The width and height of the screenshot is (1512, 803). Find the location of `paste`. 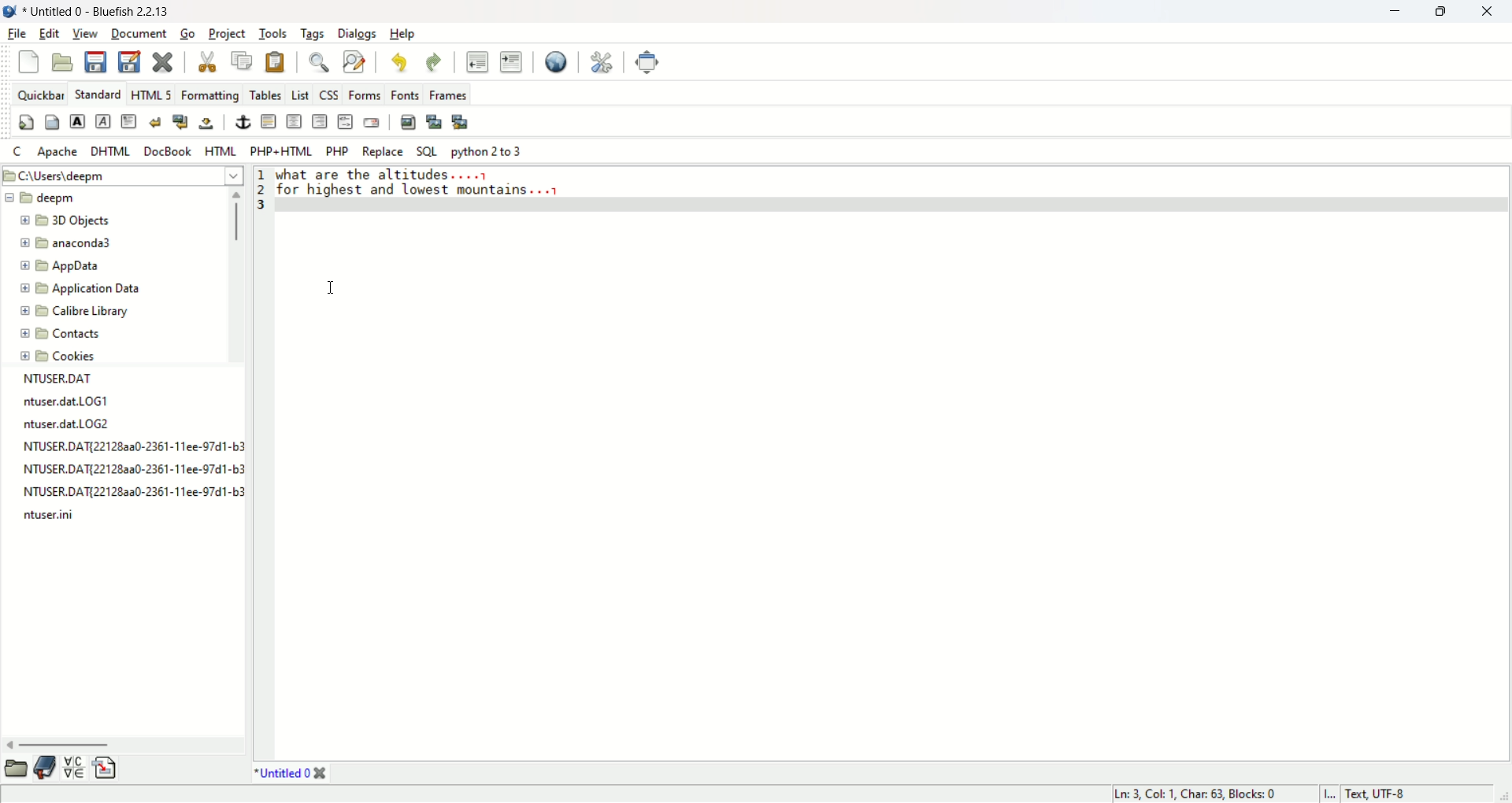

paste is located at coordinates (274, 64).